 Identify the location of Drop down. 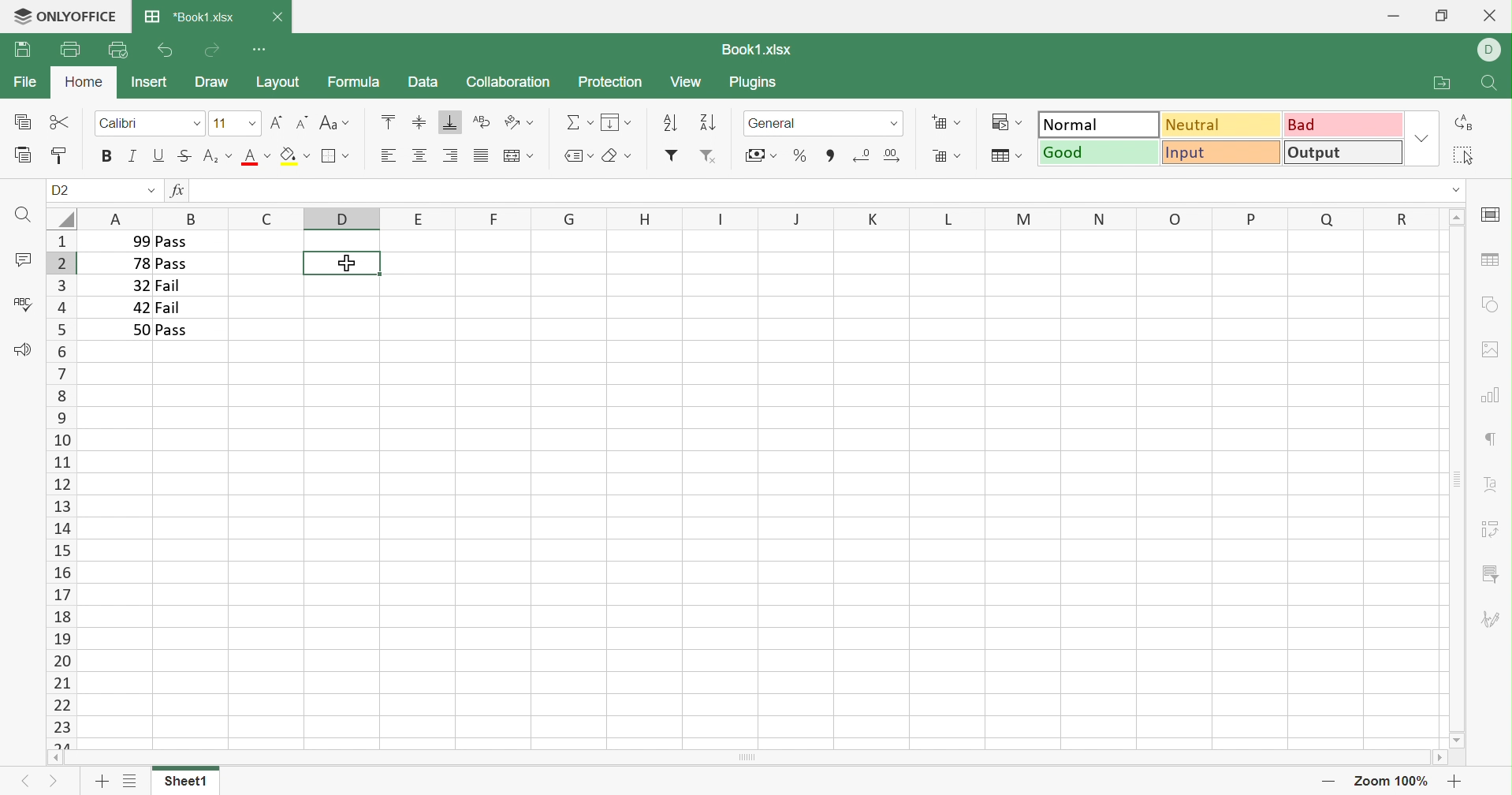
(1425, 137).